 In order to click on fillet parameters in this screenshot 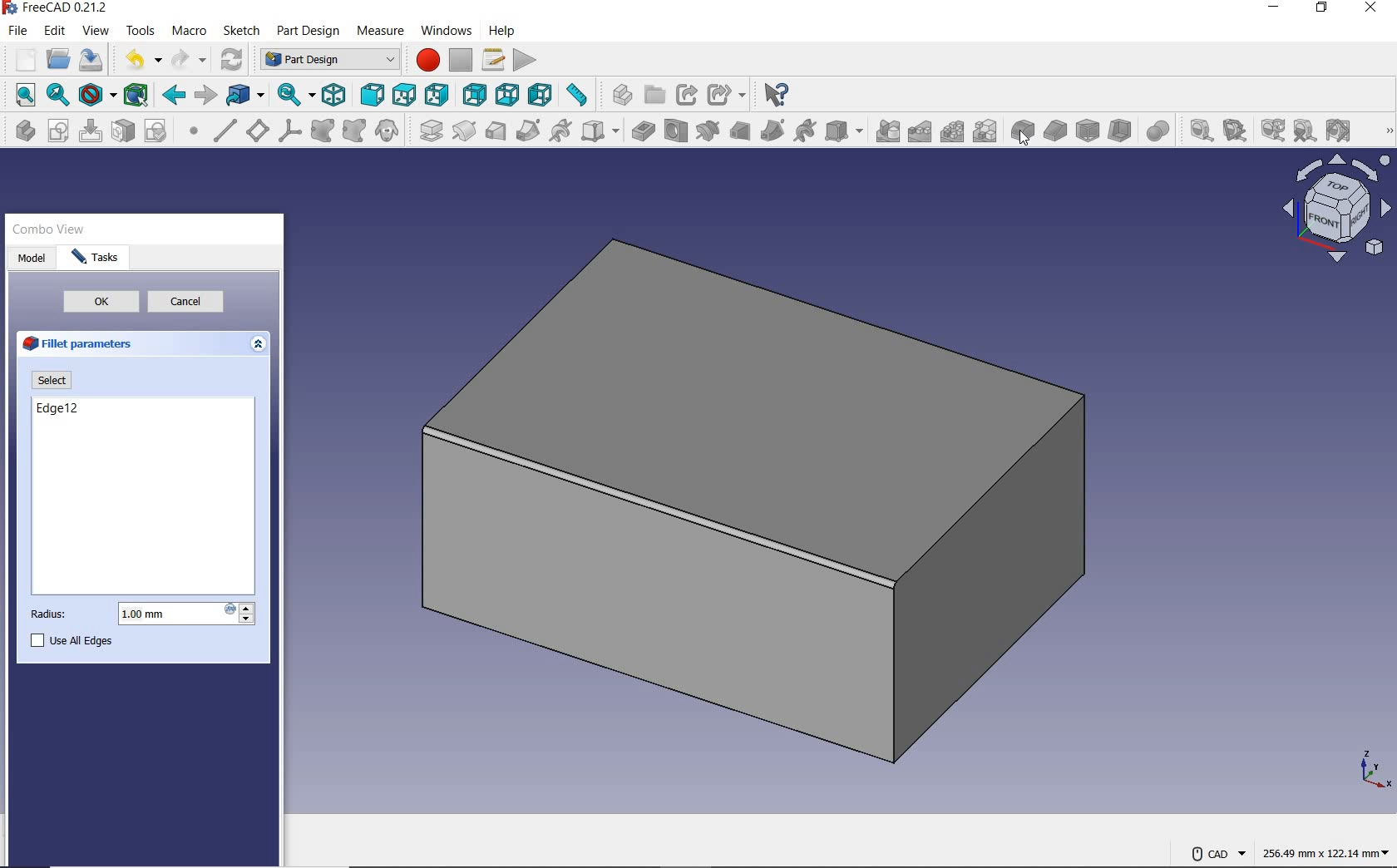, I will do `click(81, 345)`.